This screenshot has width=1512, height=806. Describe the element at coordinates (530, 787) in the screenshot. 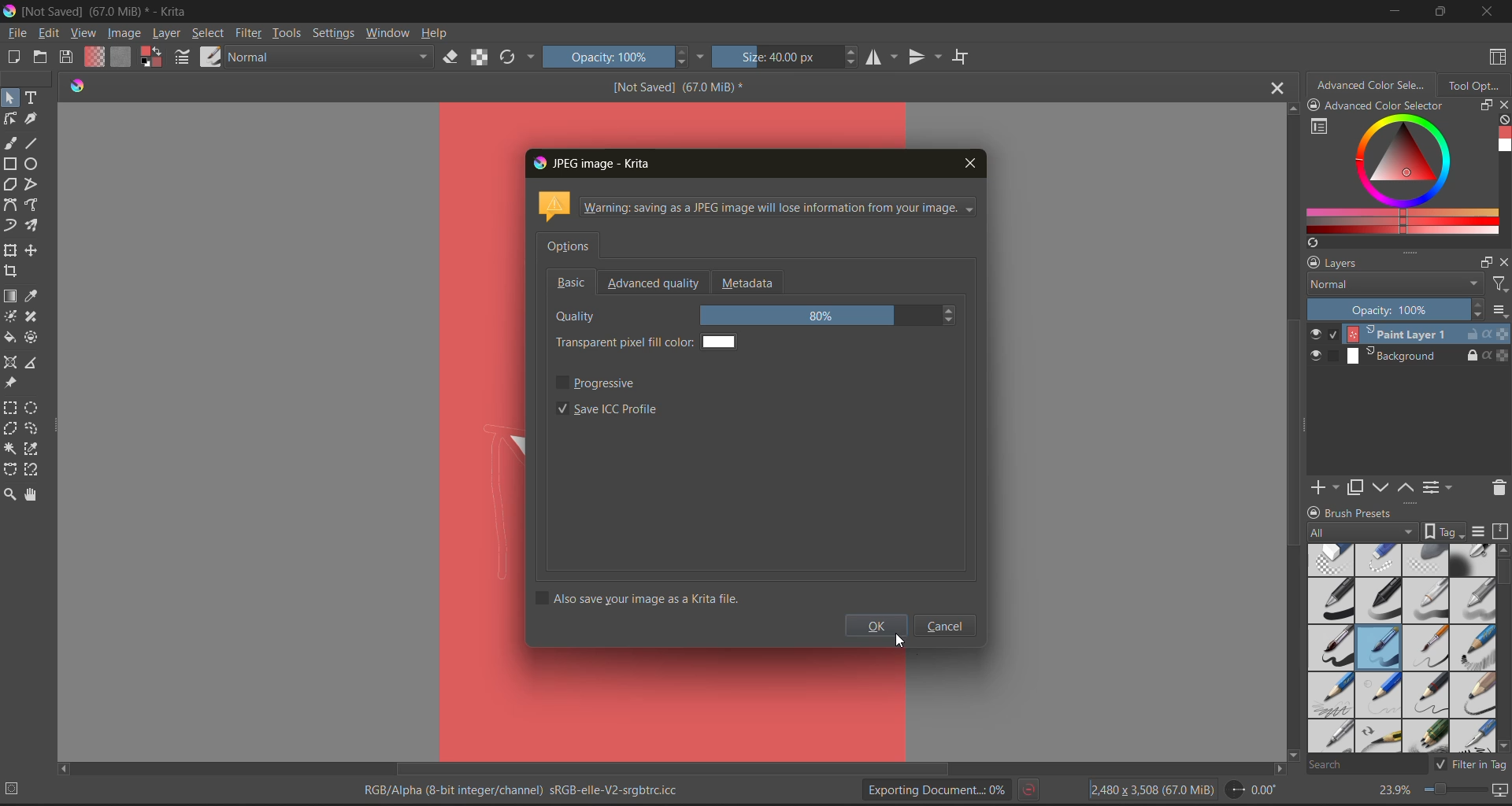

I see `metadata` at that location.